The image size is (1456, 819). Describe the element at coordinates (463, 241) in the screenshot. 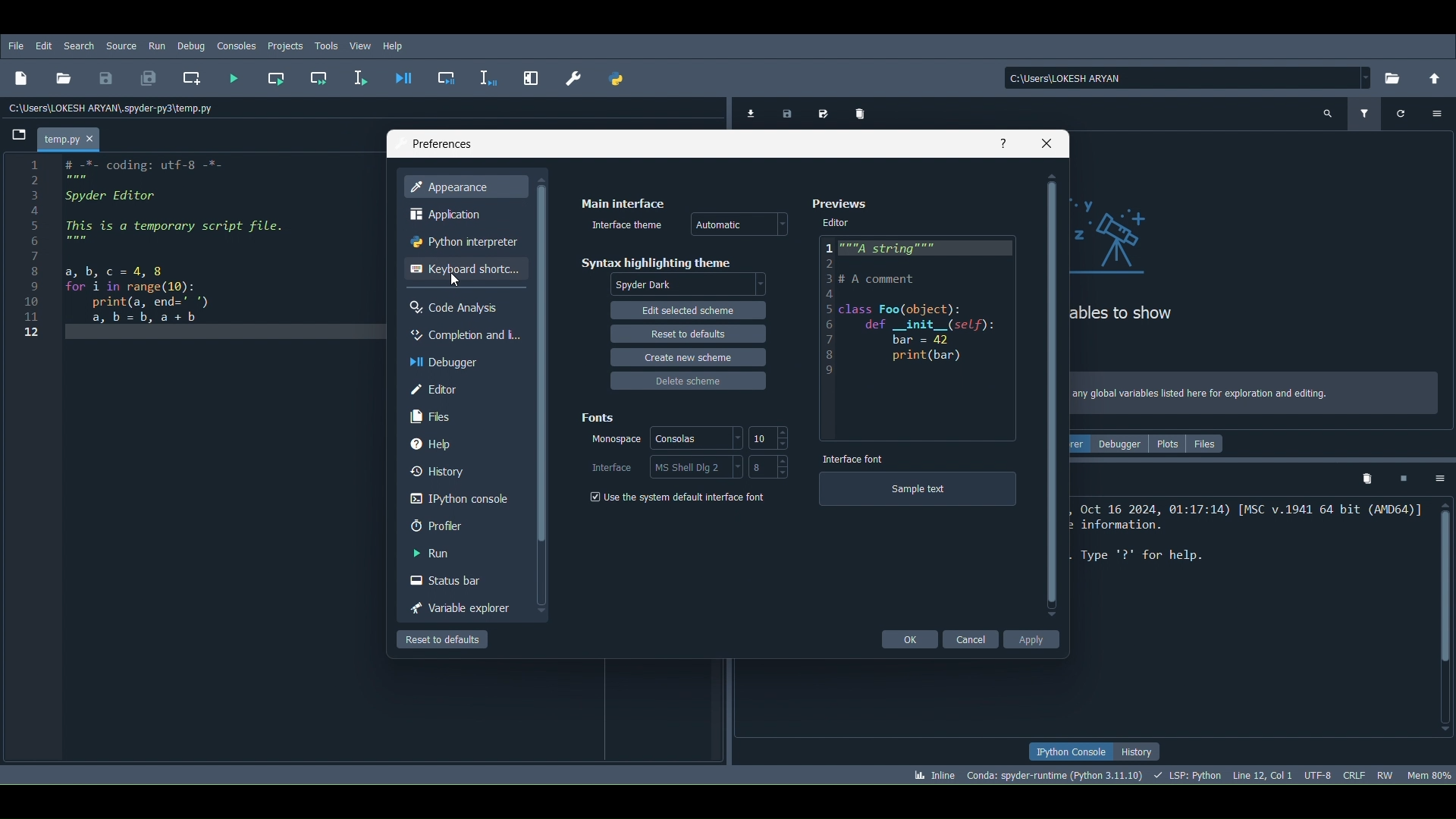

I see `Python interpreter` at that location.